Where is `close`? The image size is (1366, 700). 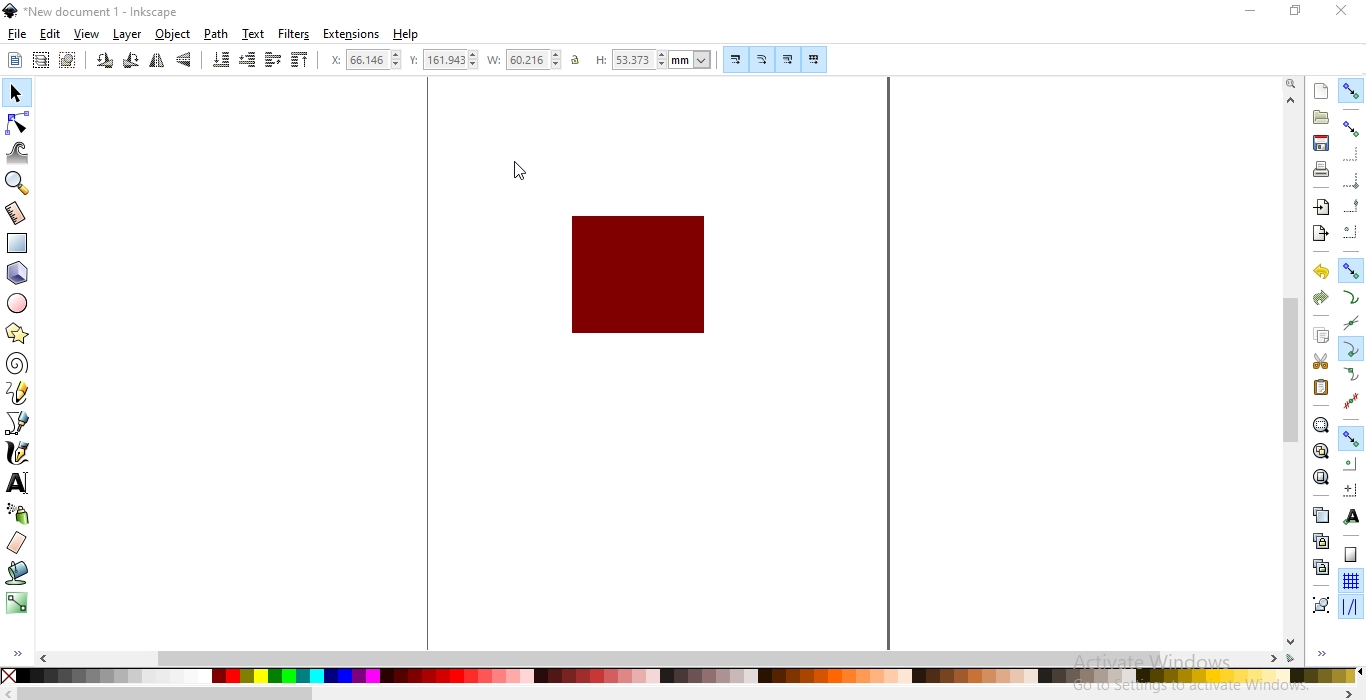 close is located at coordinates (1340, 12).